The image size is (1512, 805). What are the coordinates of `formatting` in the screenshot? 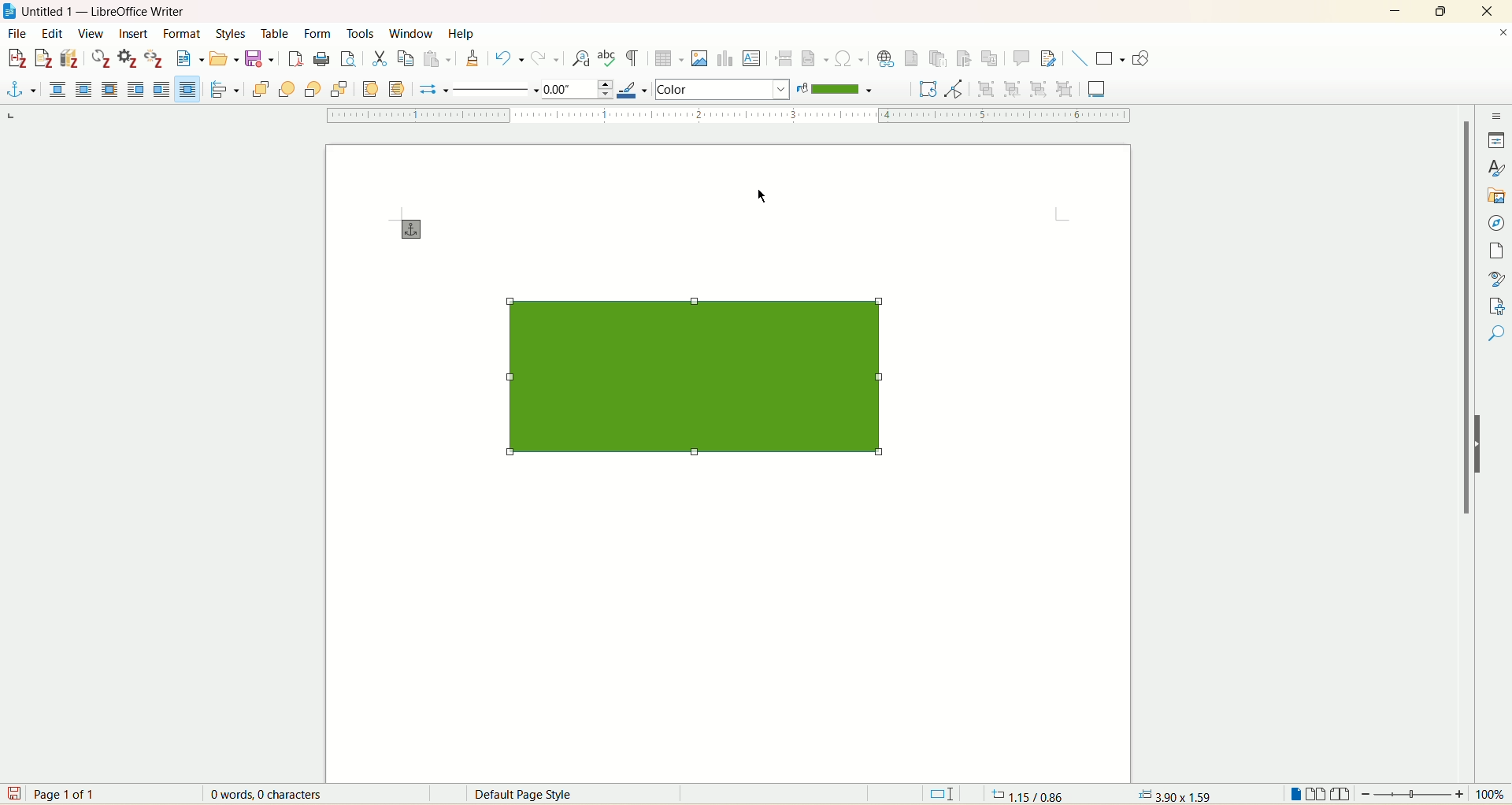 It's located at (472, 58).